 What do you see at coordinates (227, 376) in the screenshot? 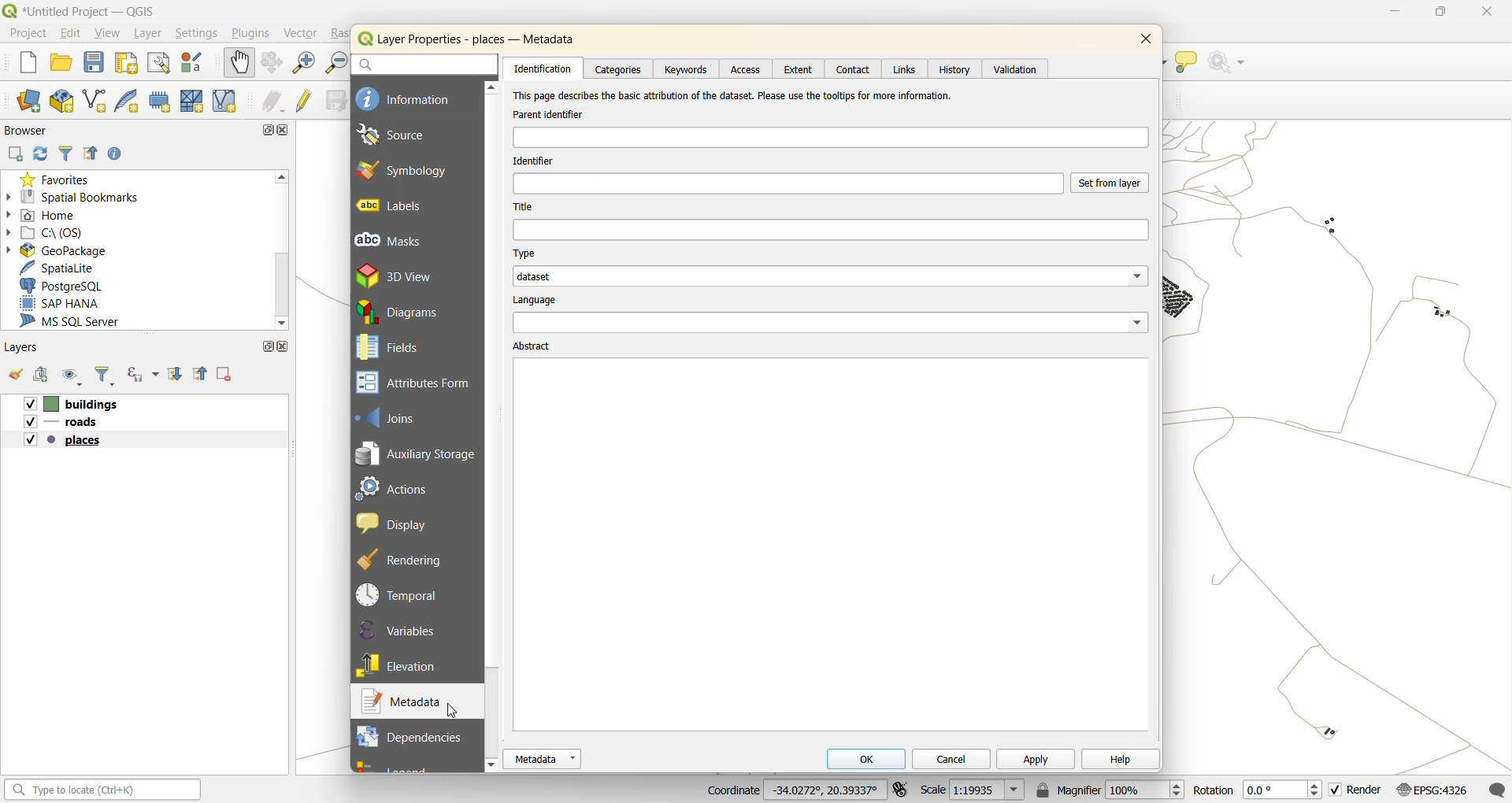
I see `remove` at bounding box center [227, 376].